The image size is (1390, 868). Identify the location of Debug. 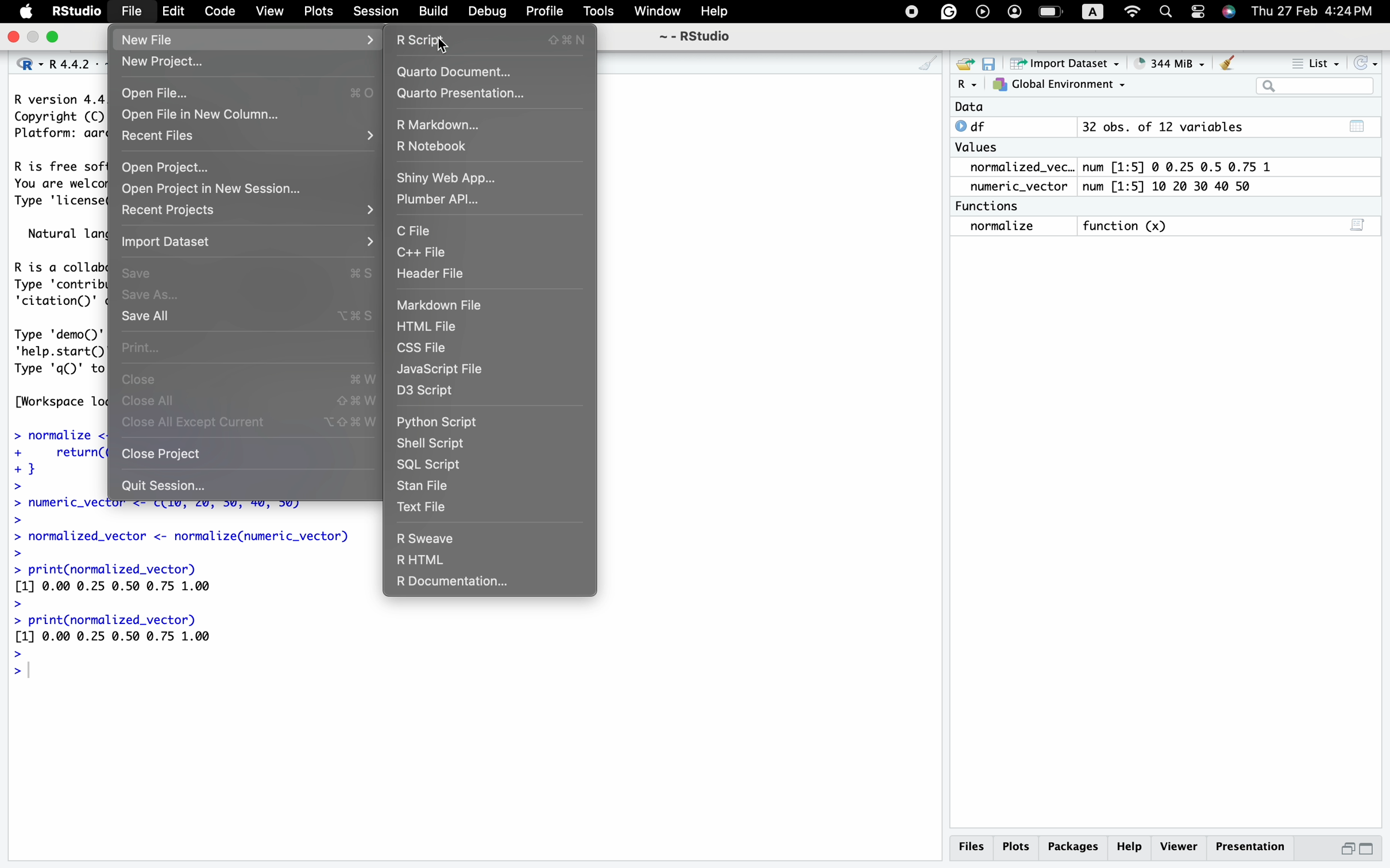
(489, 13).